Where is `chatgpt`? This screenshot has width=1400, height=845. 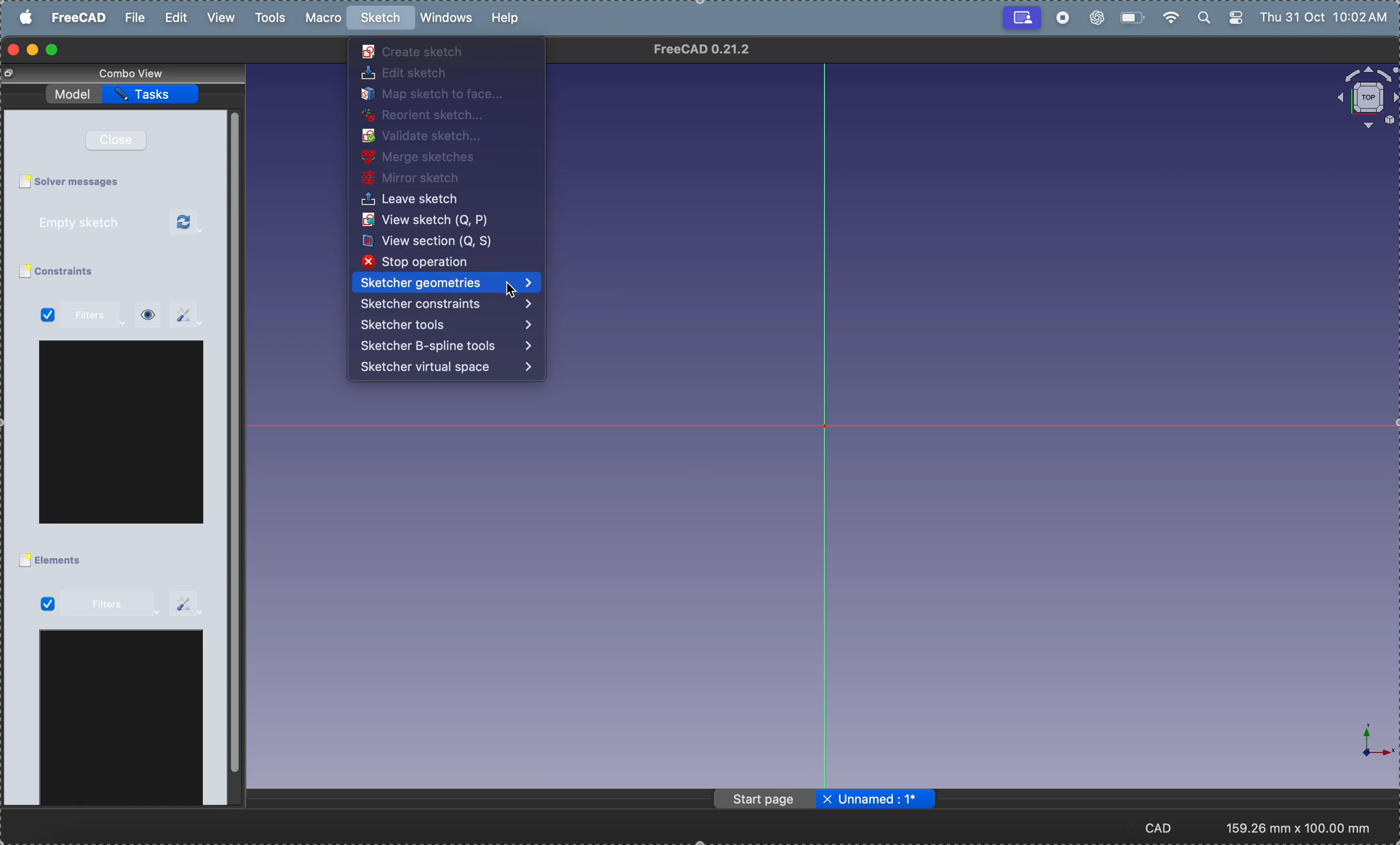 chatgpt is located at coordinates (1095, 19).